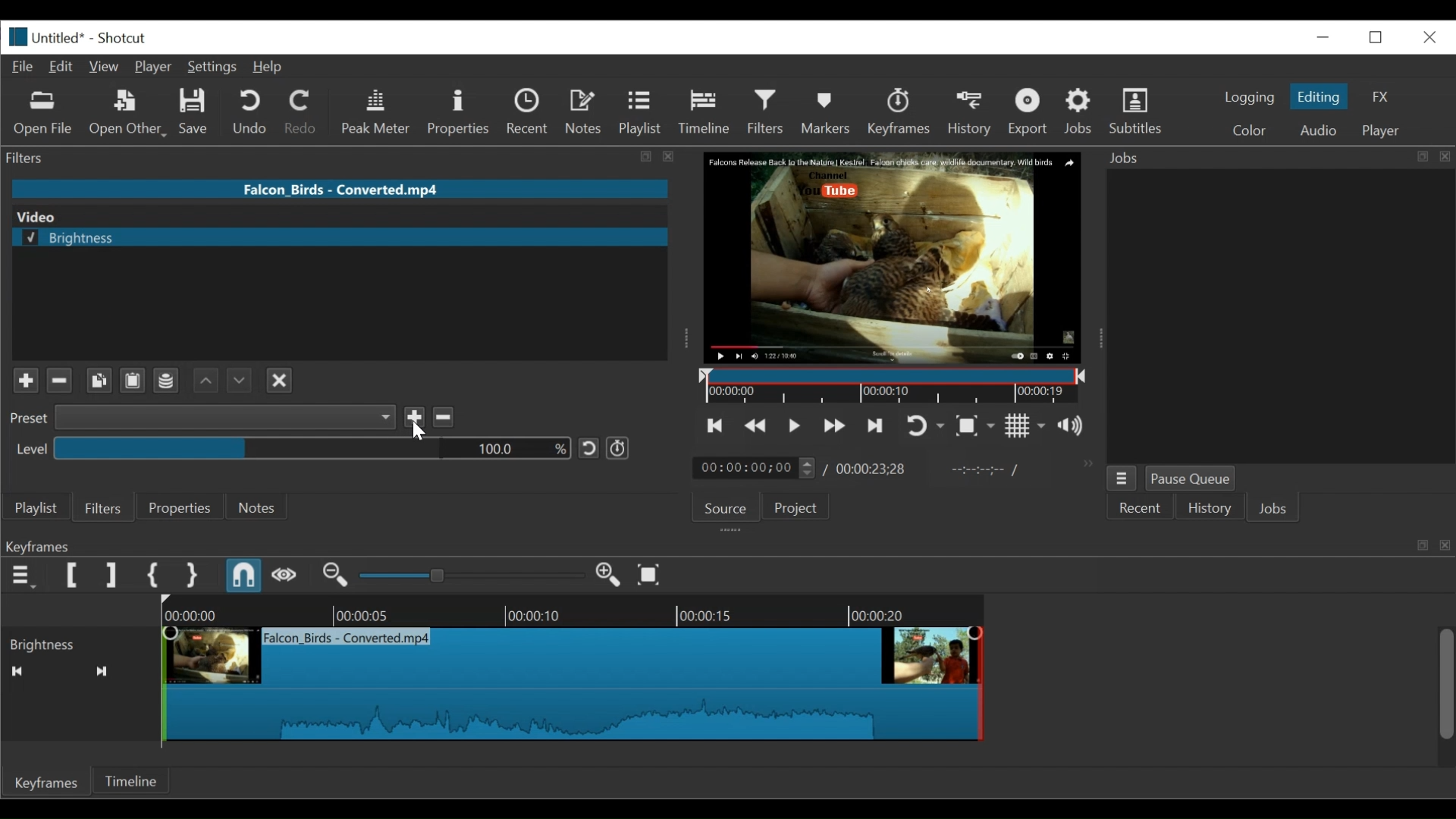 Image resolution: width=1456 pixels, height=819 pixels. I want to click on minimize, so click(1376, 37).